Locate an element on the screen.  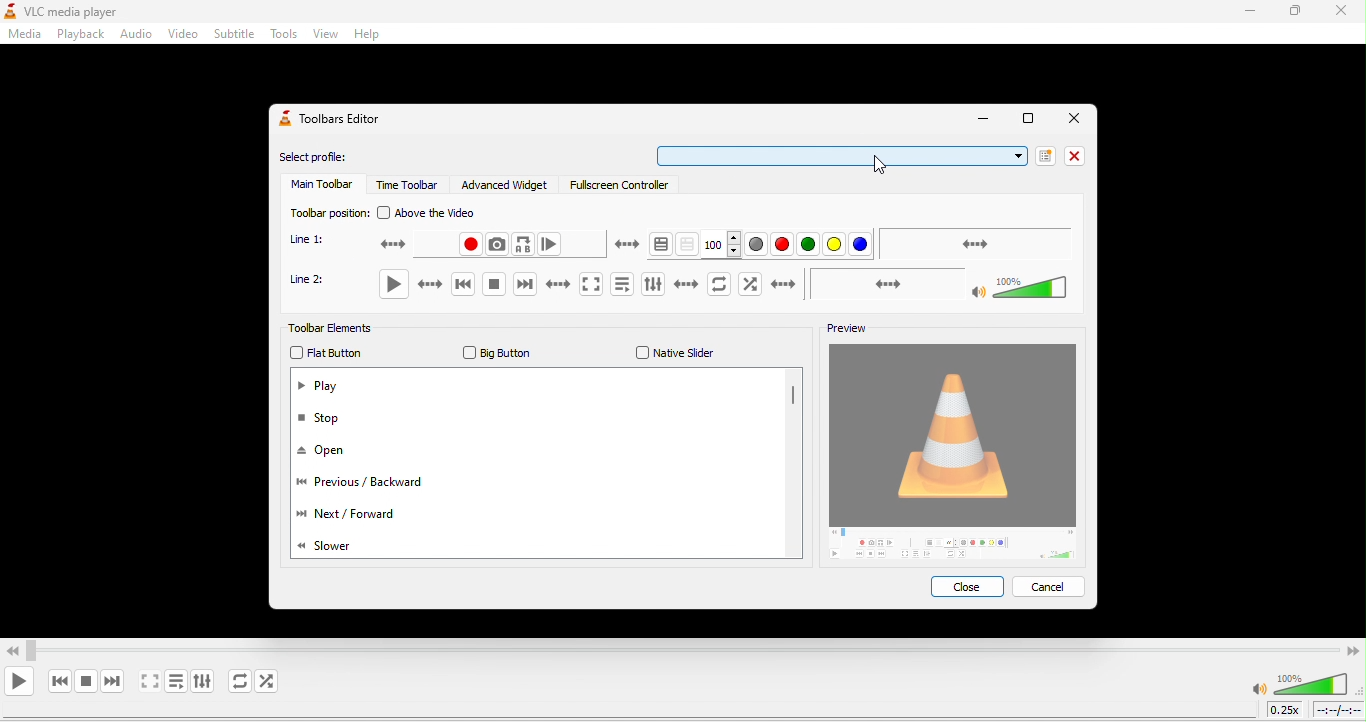
preview is located at coordinates (845, 323).